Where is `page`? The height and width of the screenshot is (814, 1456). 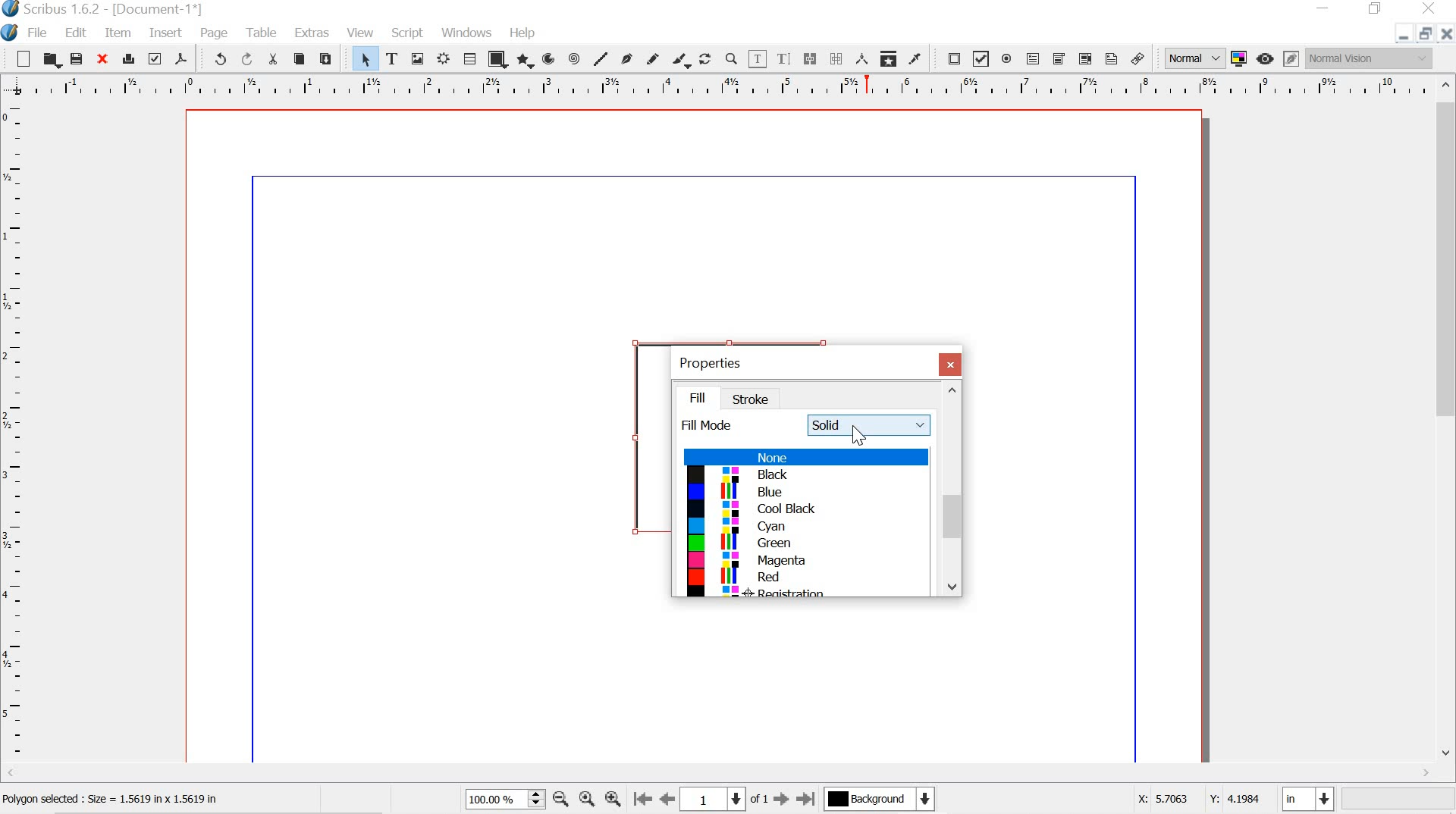
page is located at coordinates (218, 33).